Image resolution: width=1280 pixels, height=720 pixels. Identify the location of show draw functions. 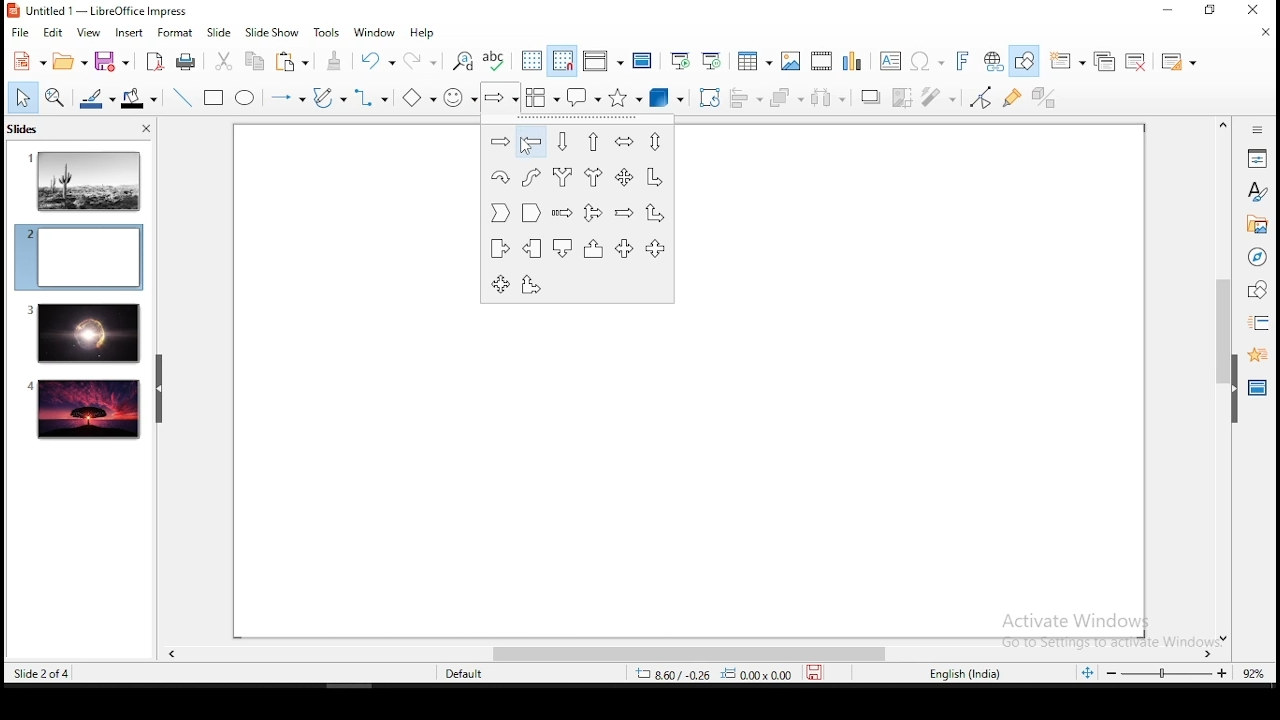
(1028, 63).